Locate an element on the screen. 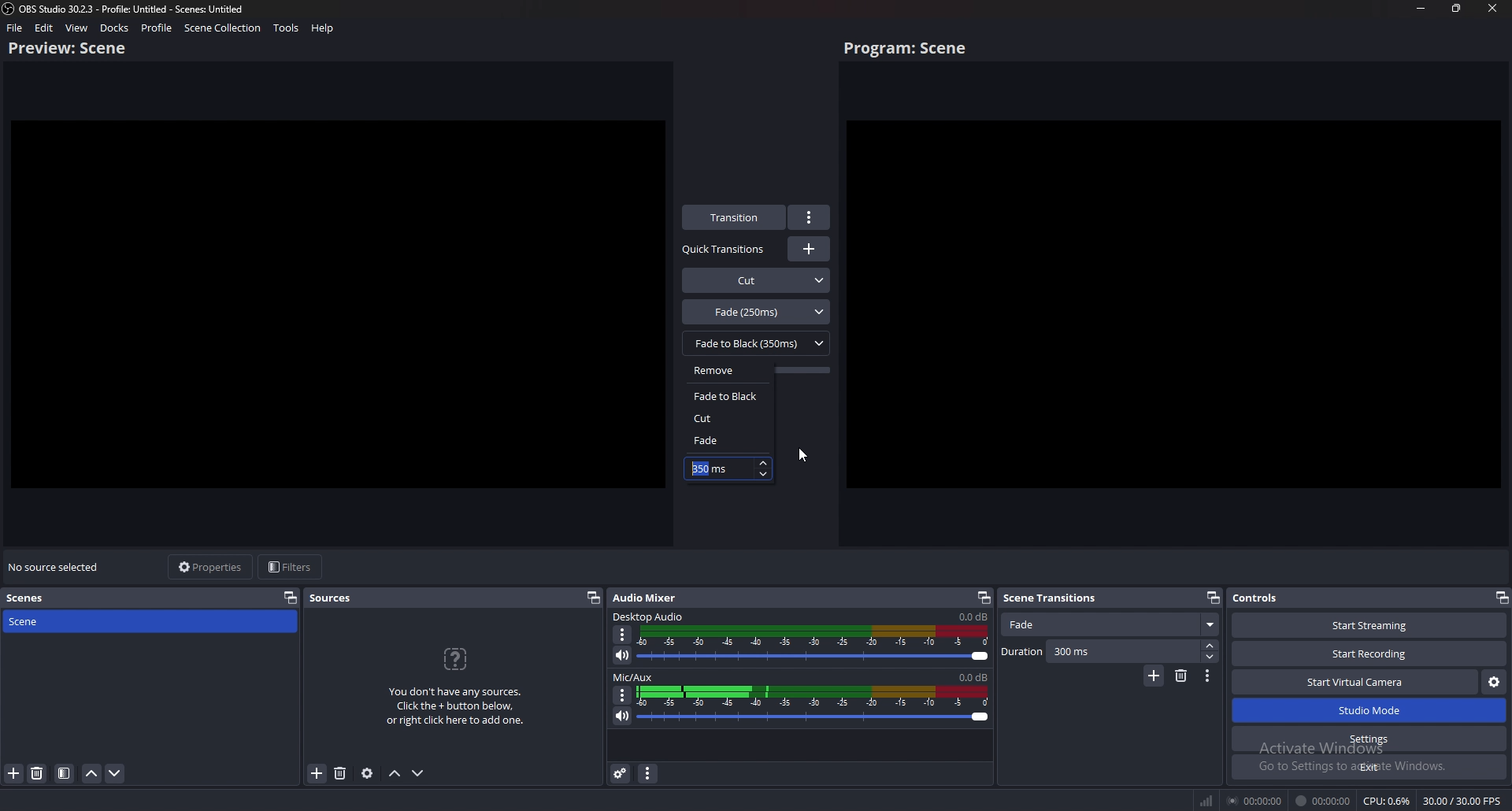 The width and height of the screenshot is (1512, 811). transition is located at coordinates (736, 217).